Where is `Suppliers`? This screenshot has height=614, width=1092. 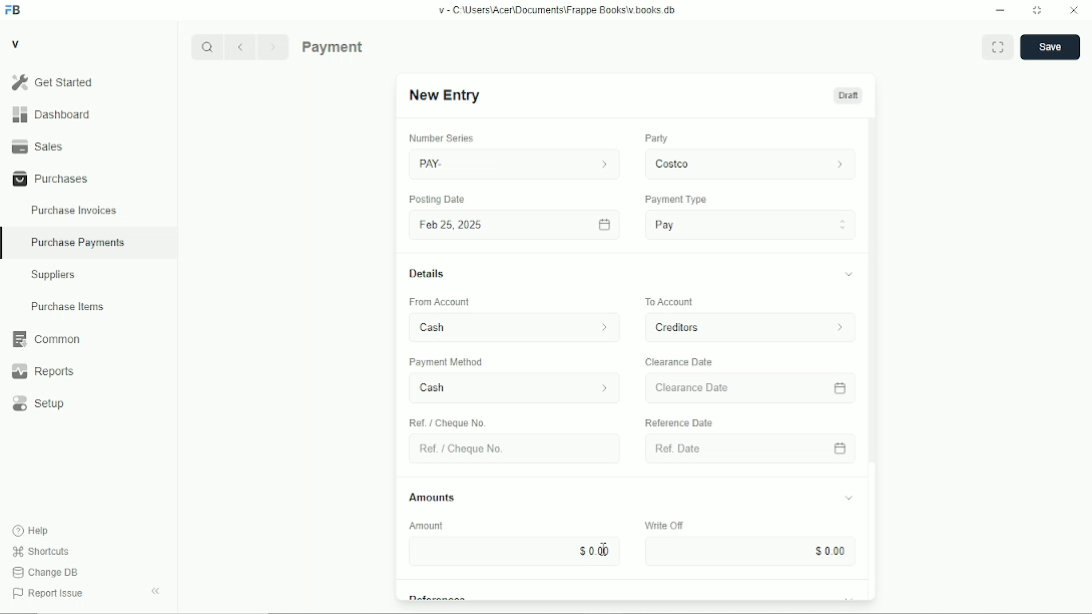
Suppliers is located at coordinates (89, 275).